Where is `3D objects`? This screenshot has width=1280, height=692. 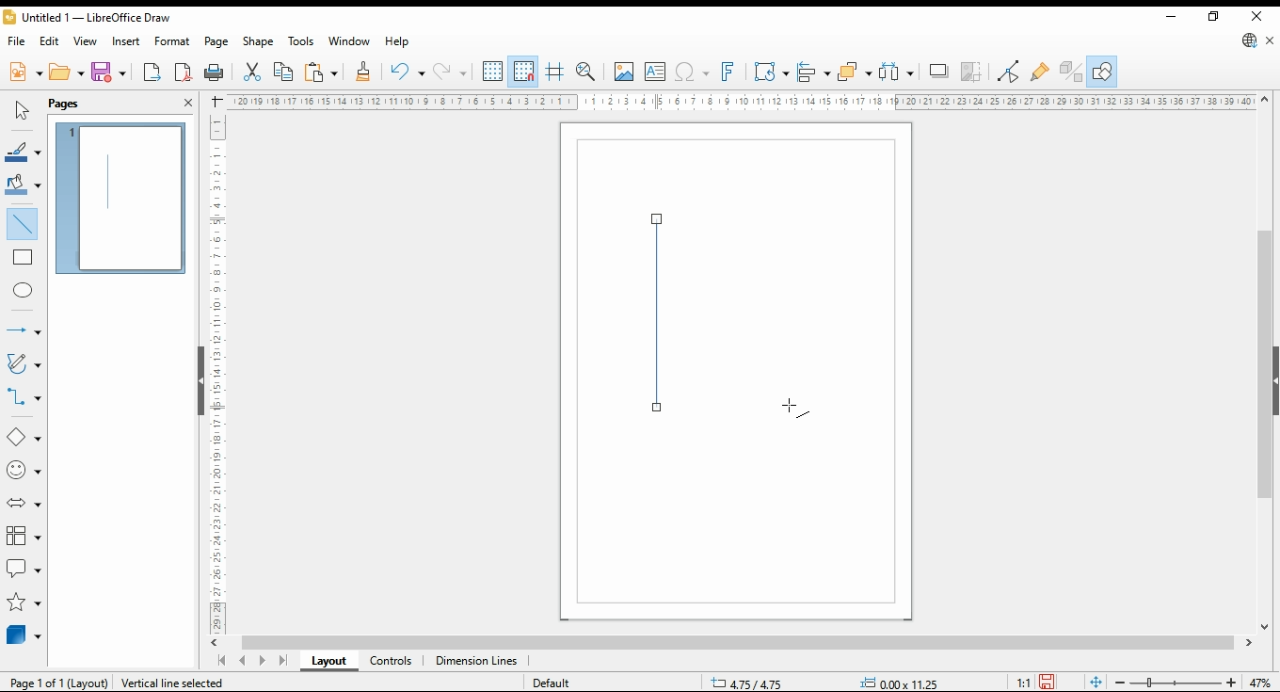
3D objects is located at coordinates (25, 635).